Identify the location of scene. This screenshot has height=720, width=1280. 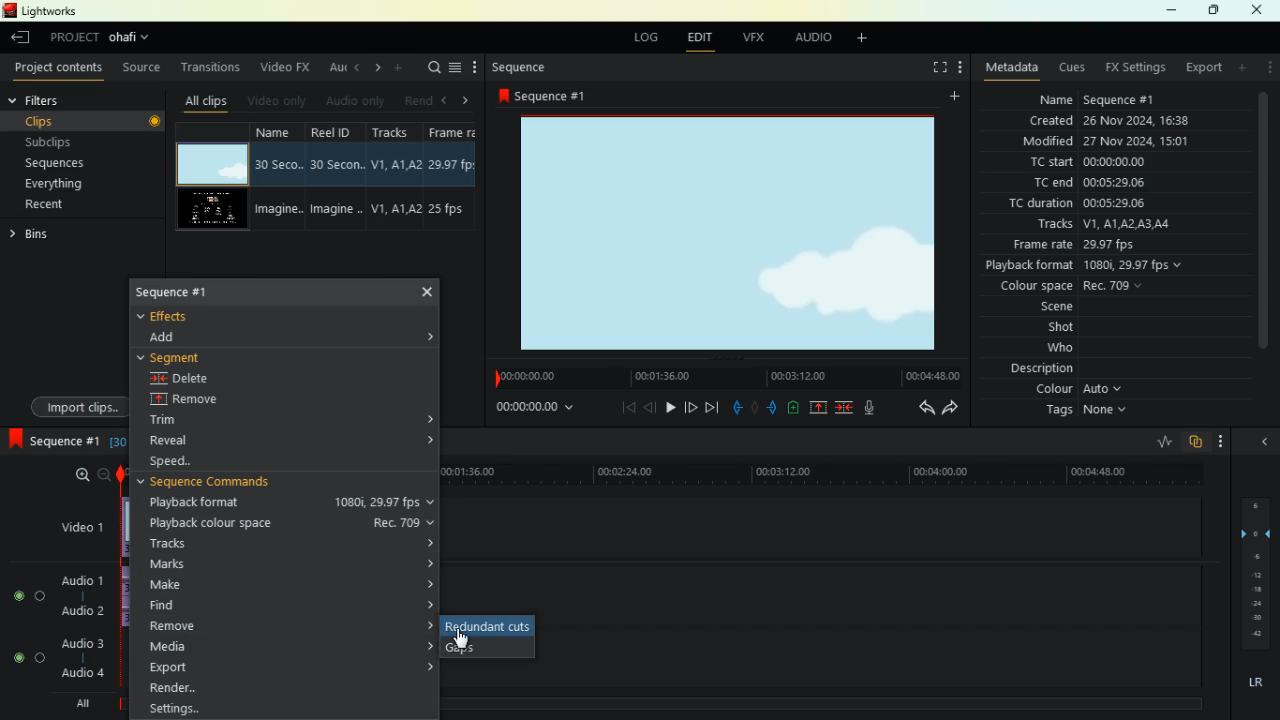
(1062, 308).